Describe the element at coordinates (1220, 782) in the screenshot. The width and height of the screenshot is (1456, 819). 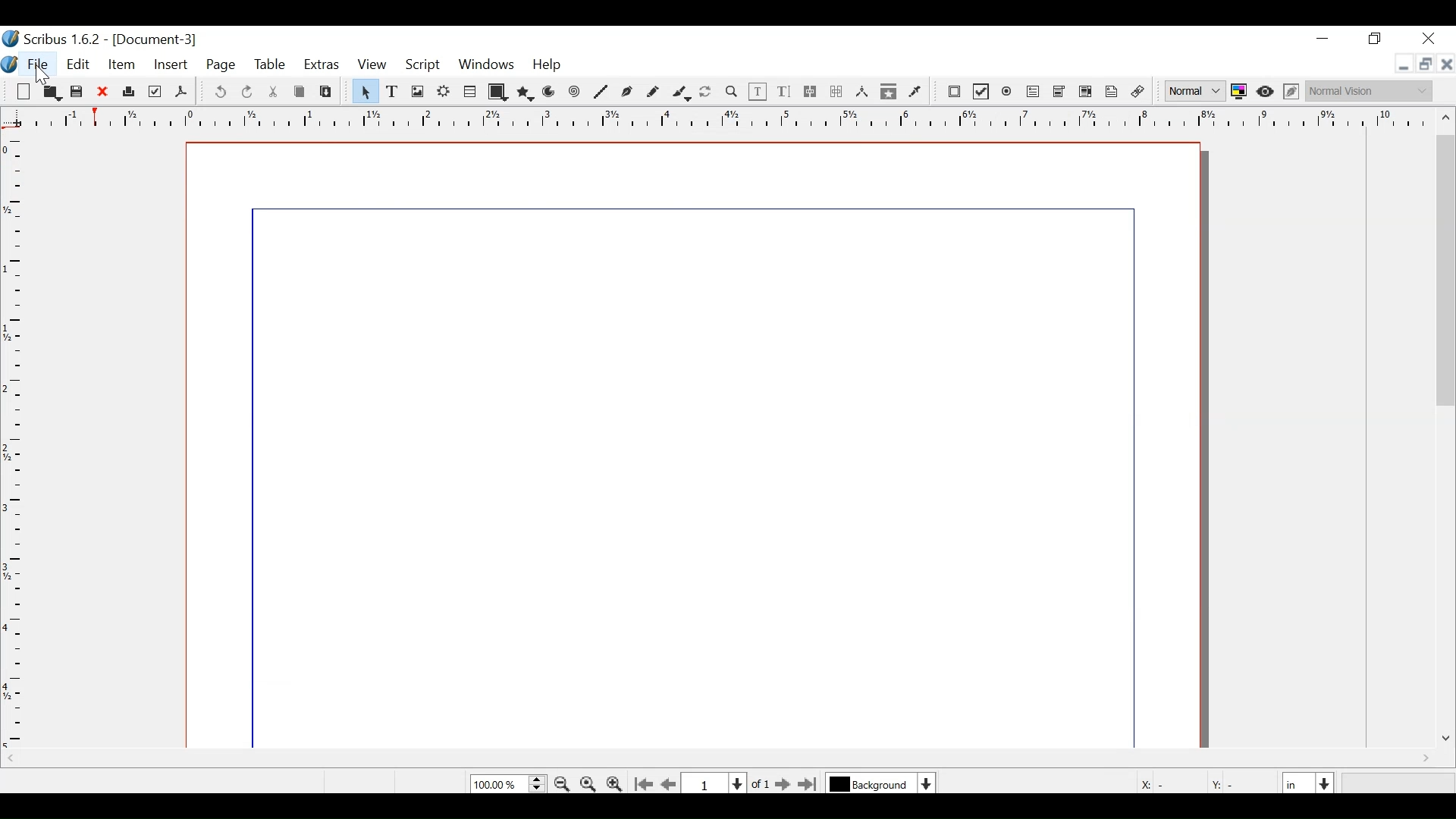
I see `Y:` at that location.